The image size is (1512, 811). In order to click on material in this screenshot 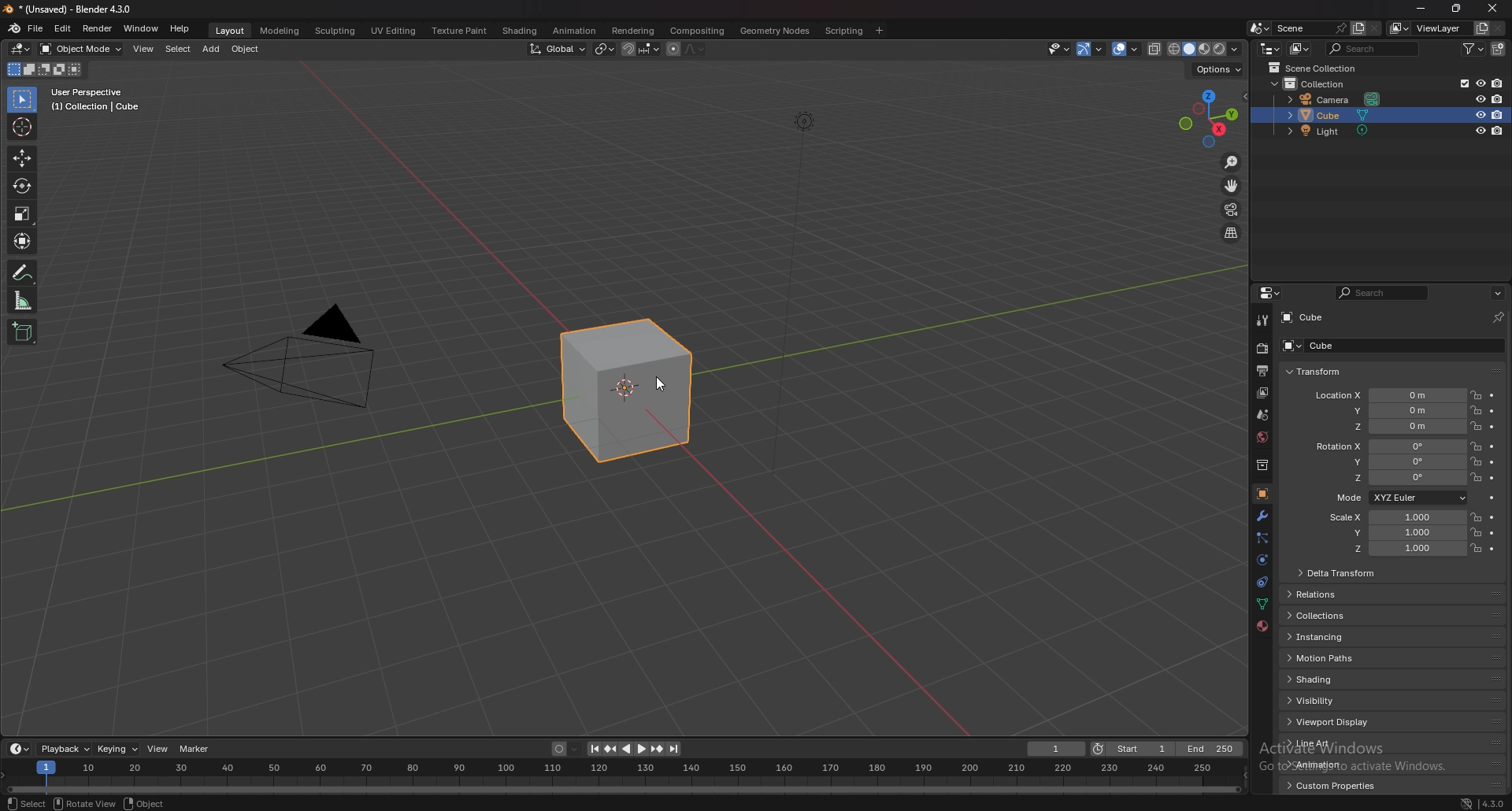, I will do `click(1262, 625)`.